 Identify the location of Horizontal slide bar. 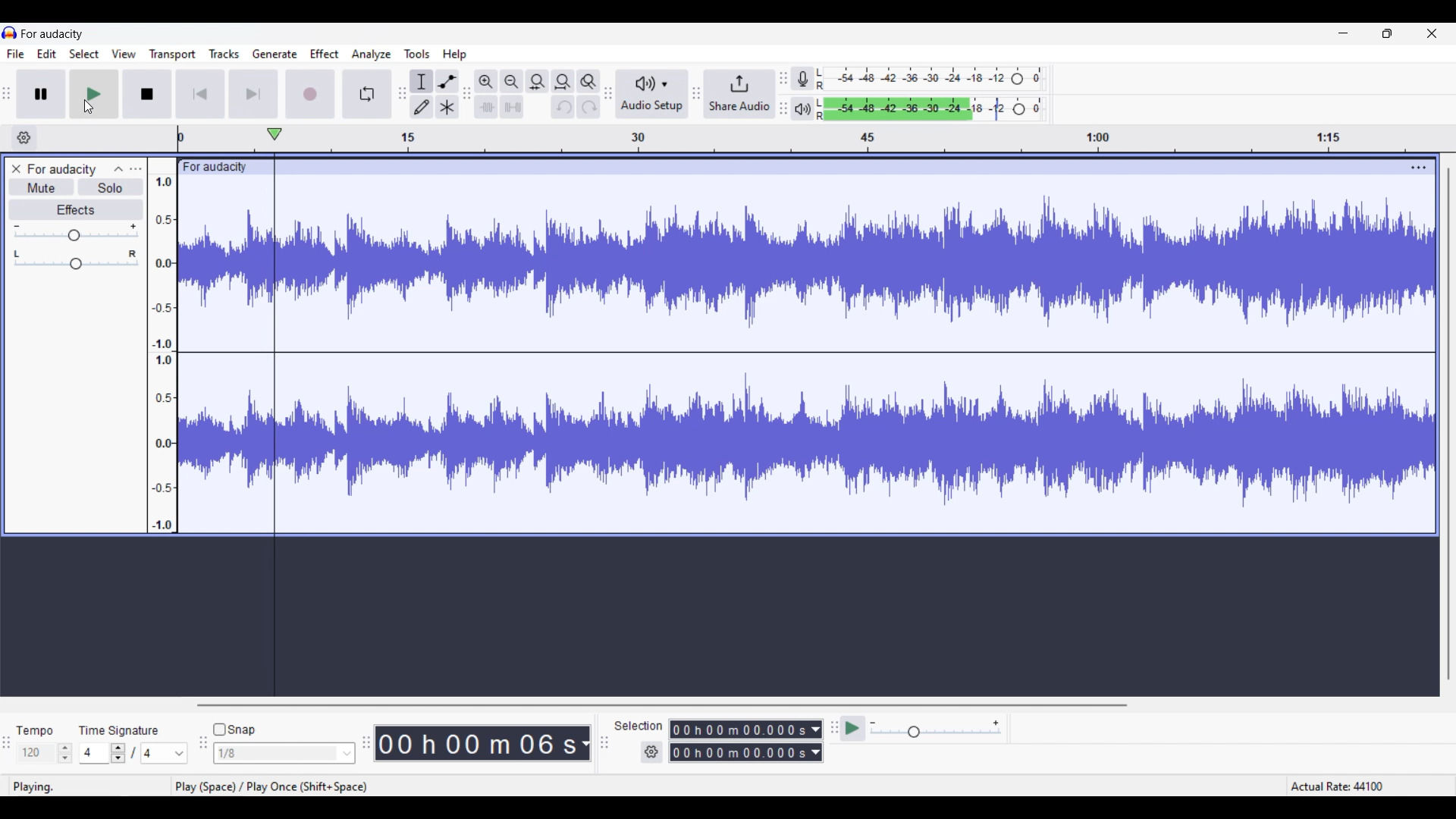
(663, 705).